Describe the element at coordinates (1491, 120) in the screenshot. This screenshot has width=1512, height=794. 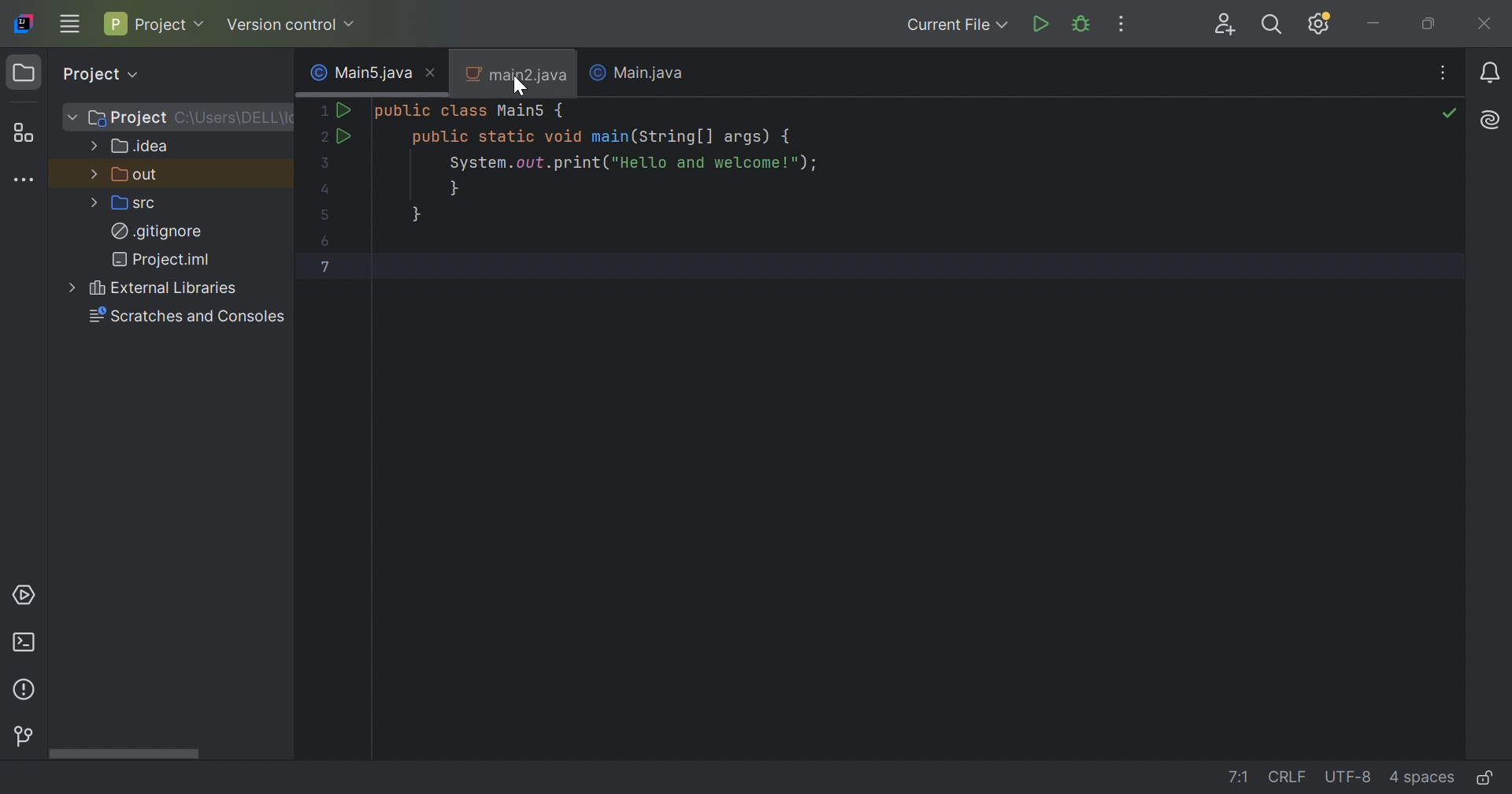
I see `AI Assistant` at that location.